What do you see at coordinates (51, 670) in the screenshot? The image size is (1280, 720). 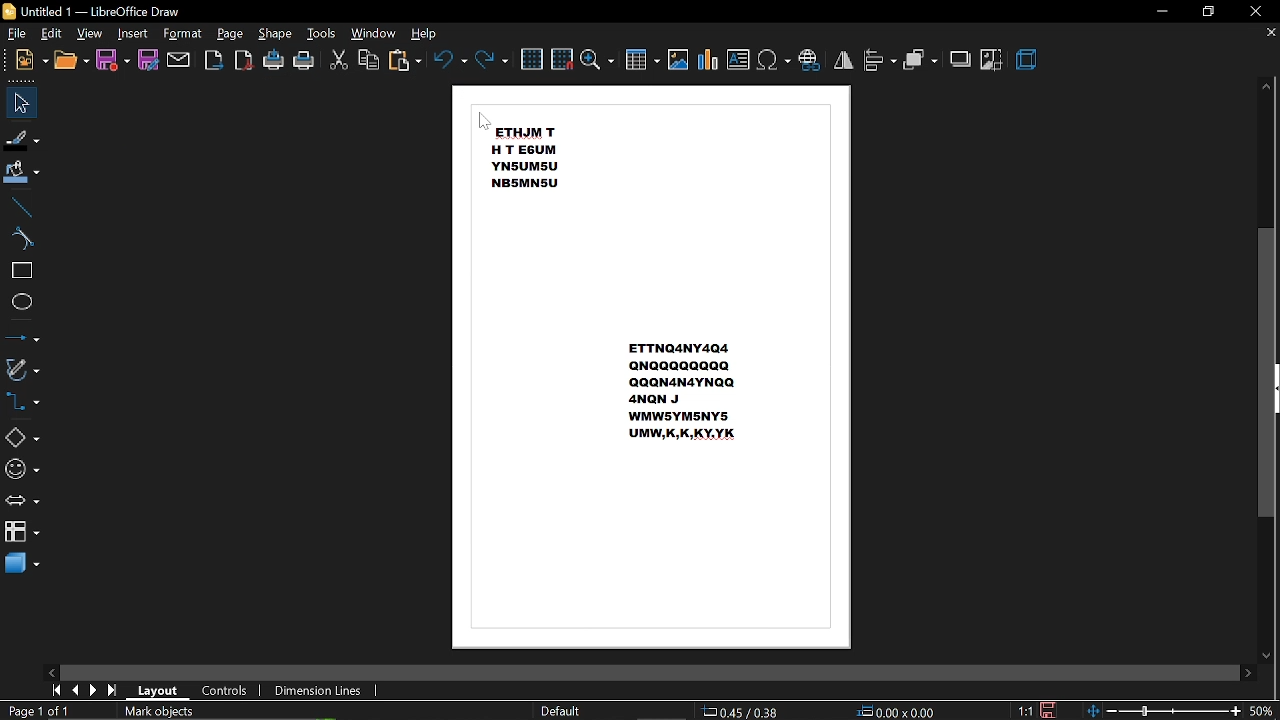 I see `move left` at bounding box center [51, 670].